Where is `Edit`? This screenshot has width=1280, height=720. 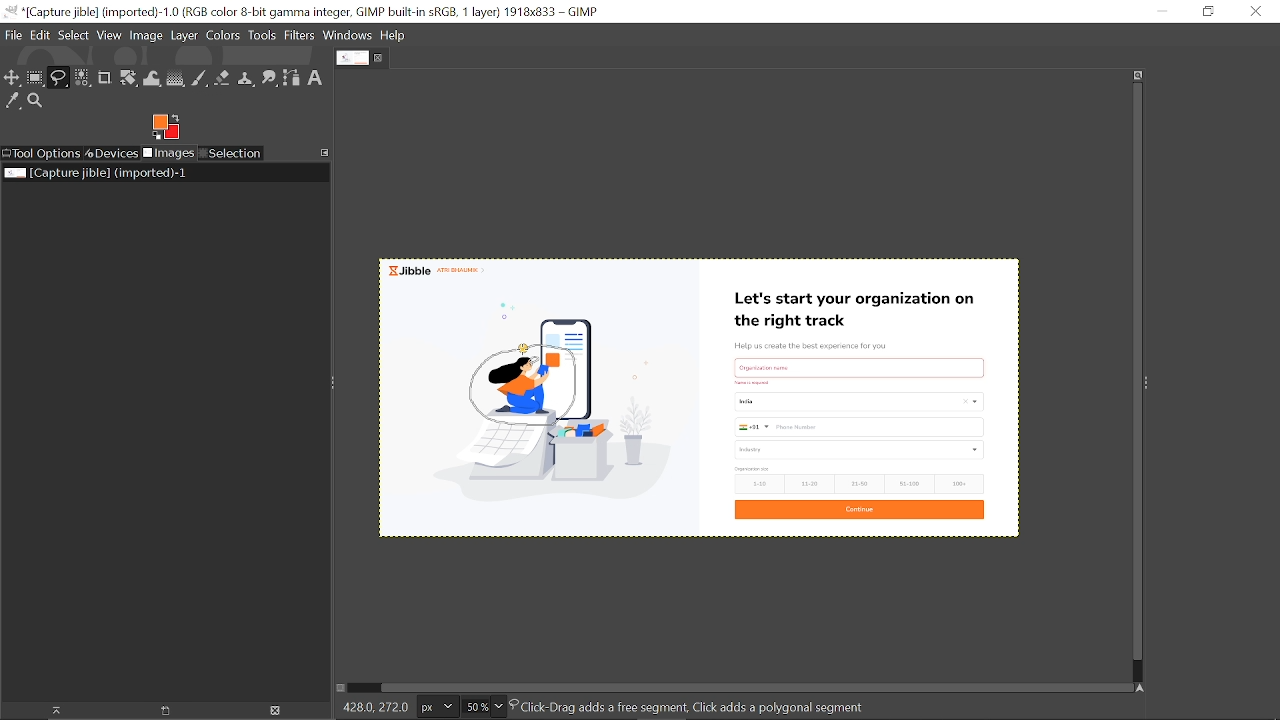
Edit is located at coordinates (42, 35).